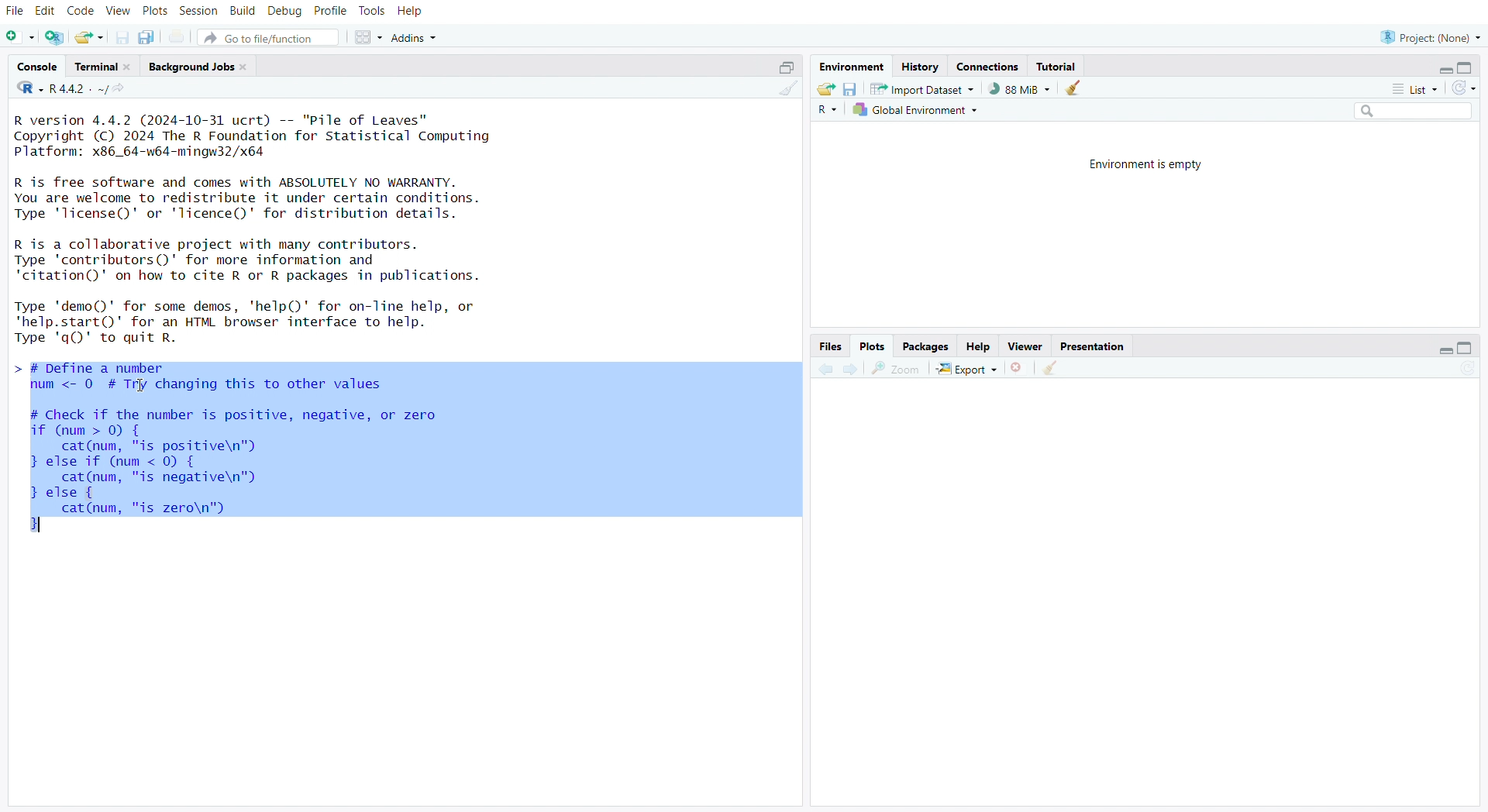 Image resolution: width=1488 pixels, height=812 pixels. Describe the element at coordinates (1140, 163) in the screenshot. I see `environment is empty` at that location.